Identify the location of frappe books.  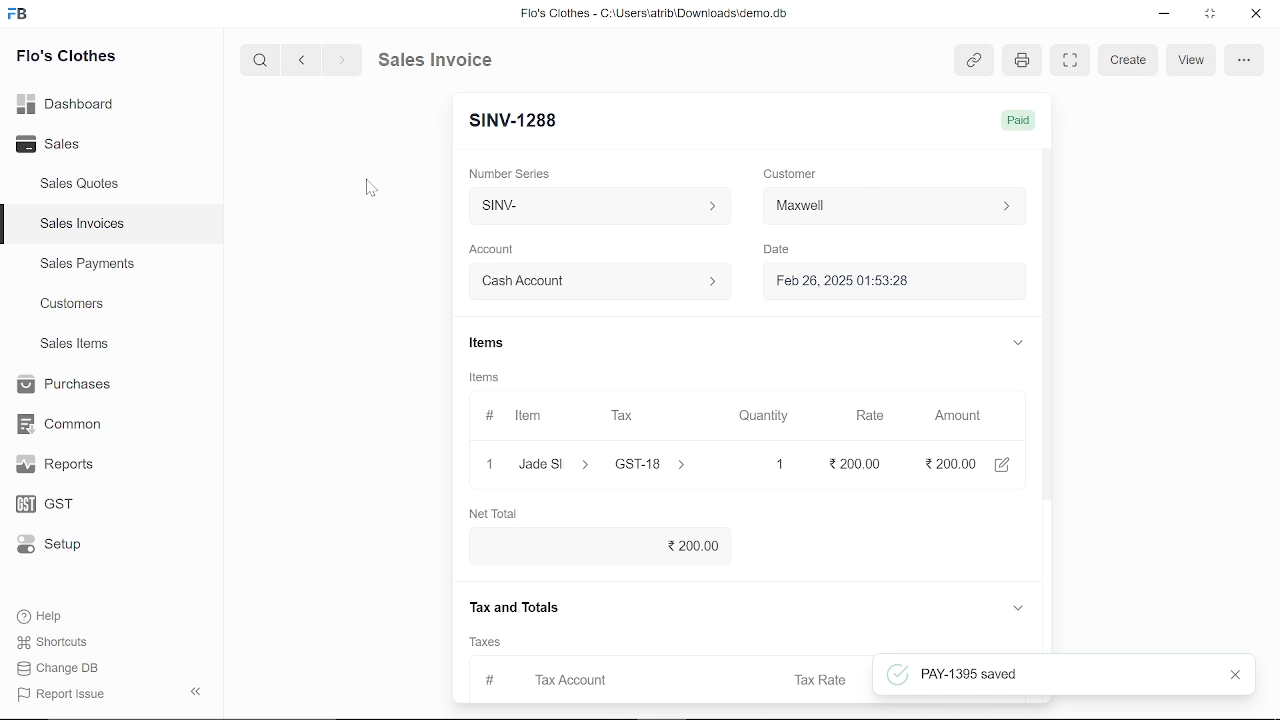
(18, 16).